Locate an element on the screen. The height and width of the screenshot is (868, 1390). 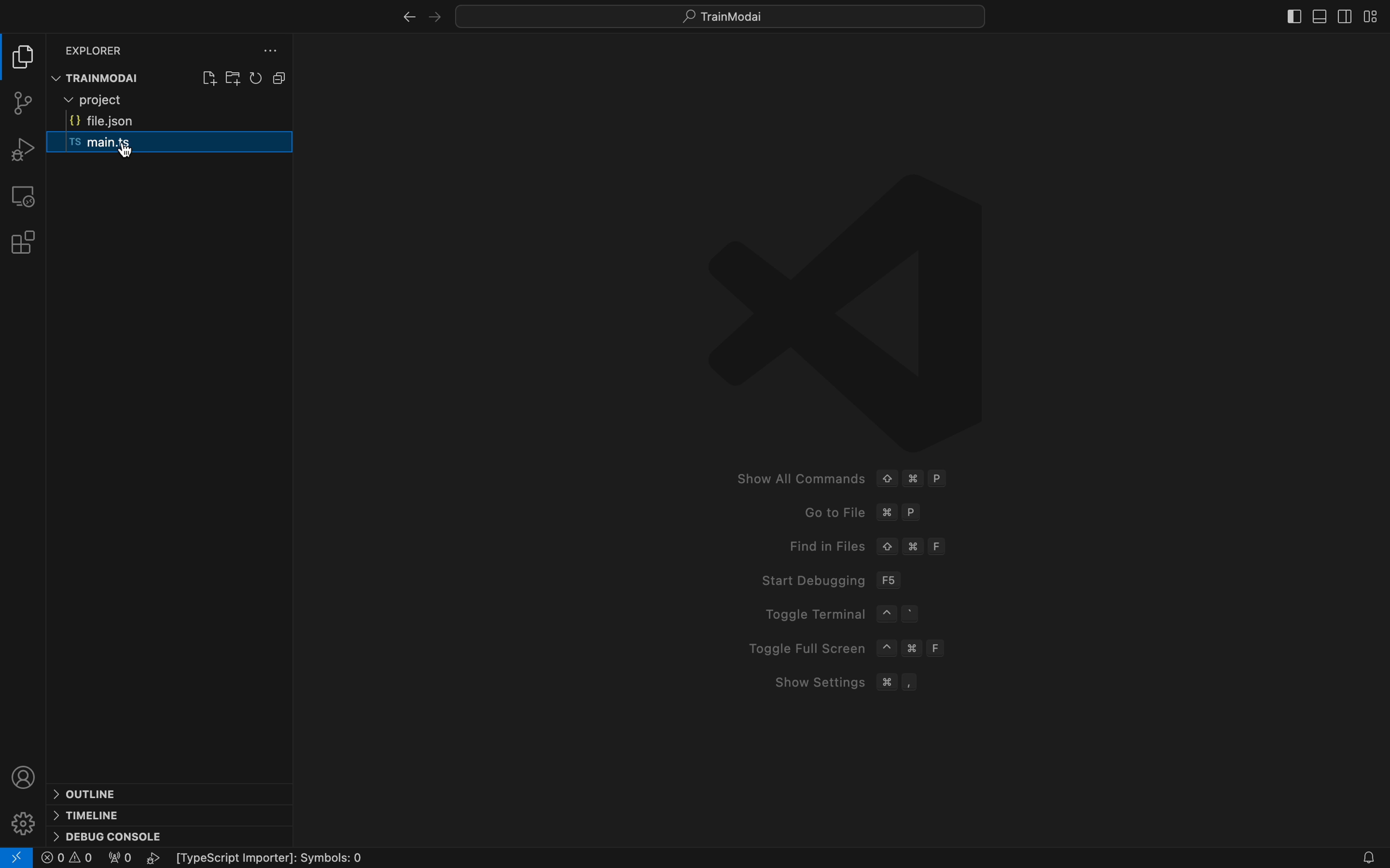
layouts is located at coordinates (1375, 17).